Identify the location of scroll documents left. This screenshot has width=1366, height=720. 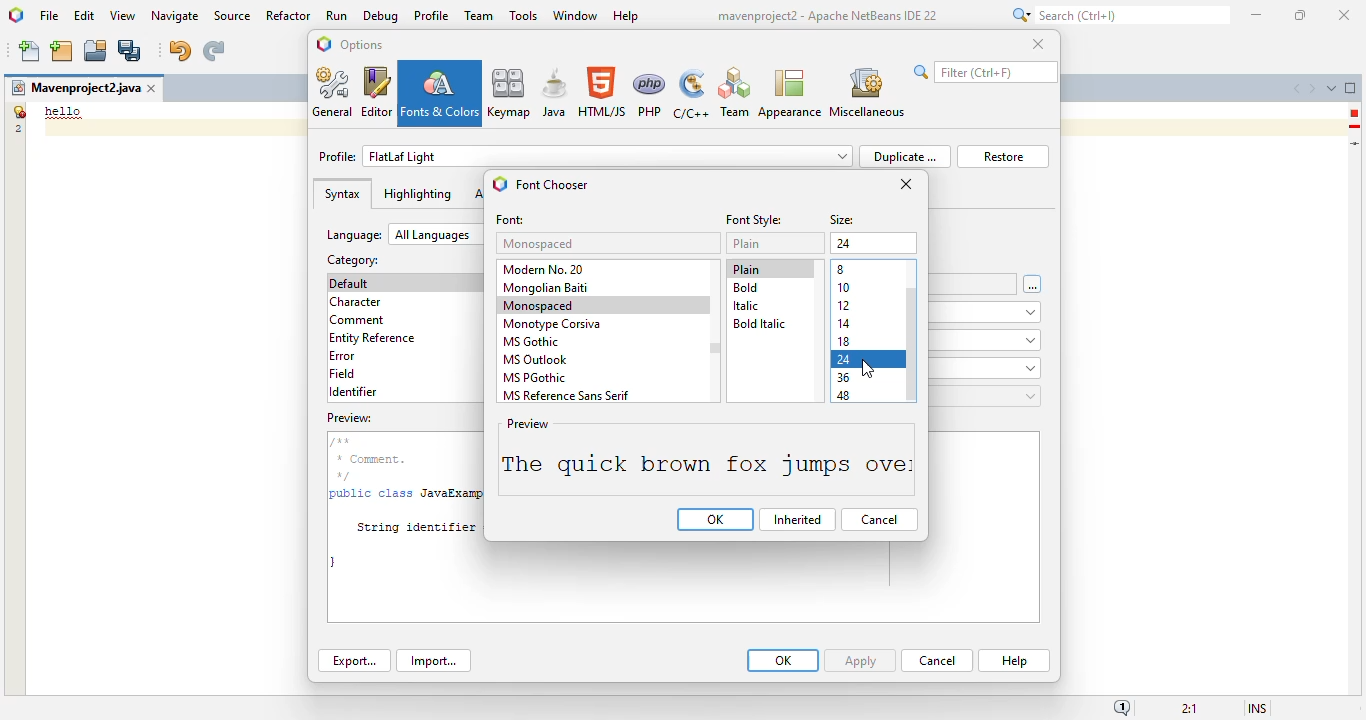
(1299, 89).